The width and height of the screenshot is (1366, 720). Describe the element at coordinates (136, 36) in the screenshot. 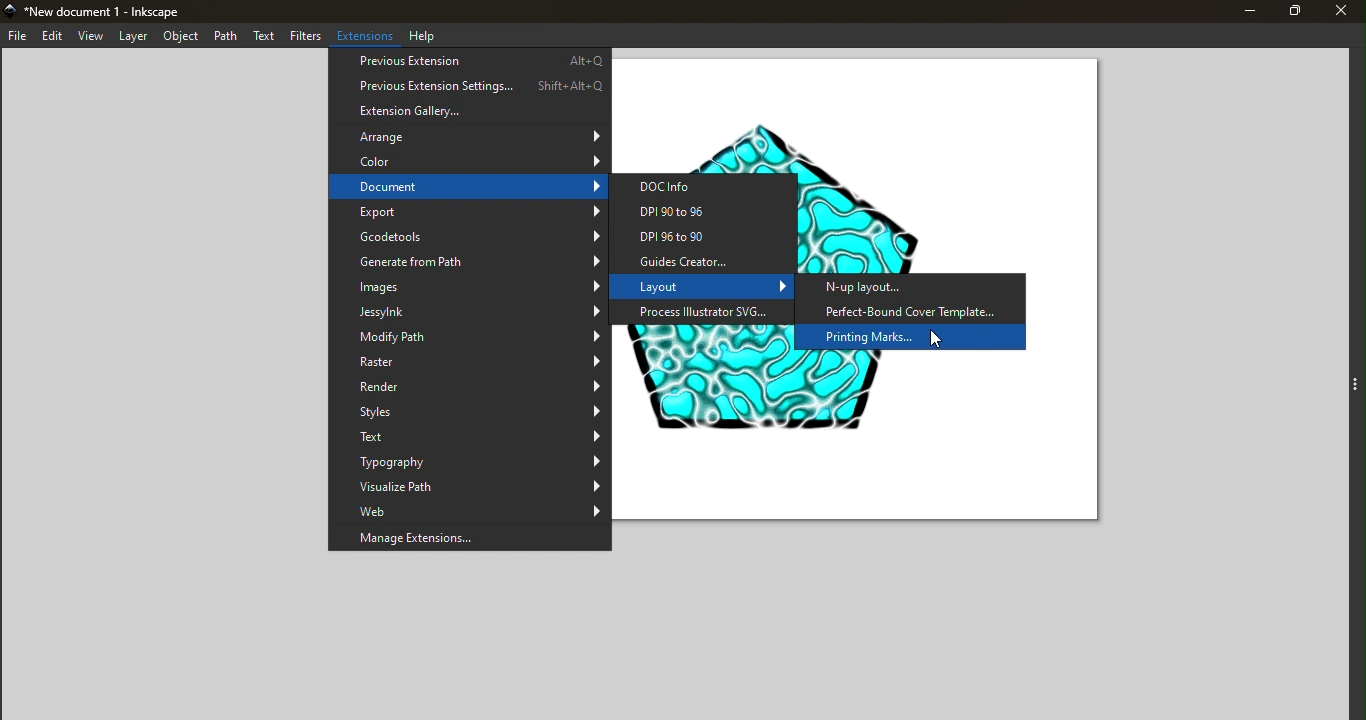

I see `Layer` at that location.